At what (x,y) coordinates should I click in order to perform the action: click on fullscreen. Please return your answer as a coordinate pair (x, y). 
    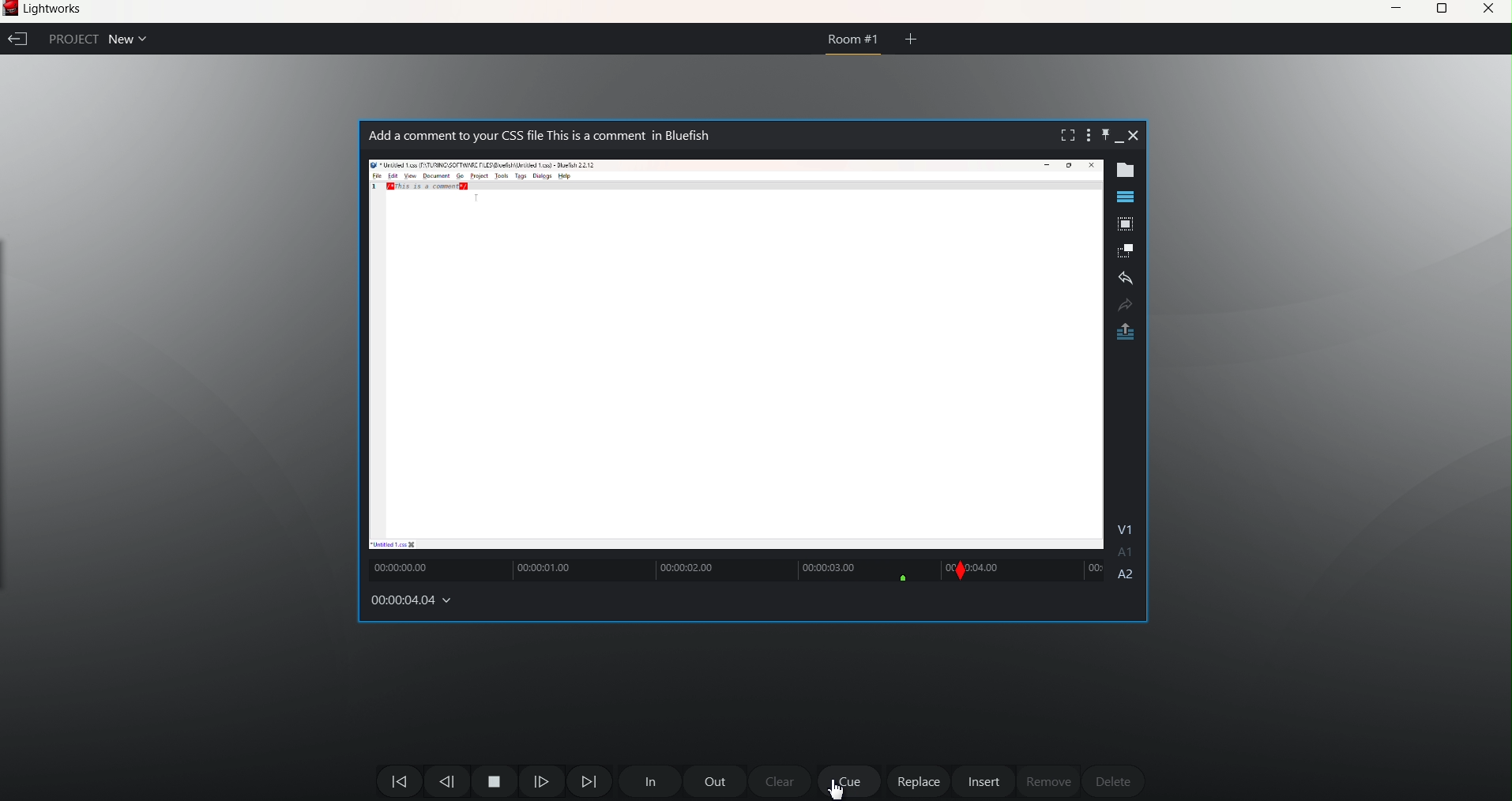
    Looking at the image, I should click on (1064, 135).